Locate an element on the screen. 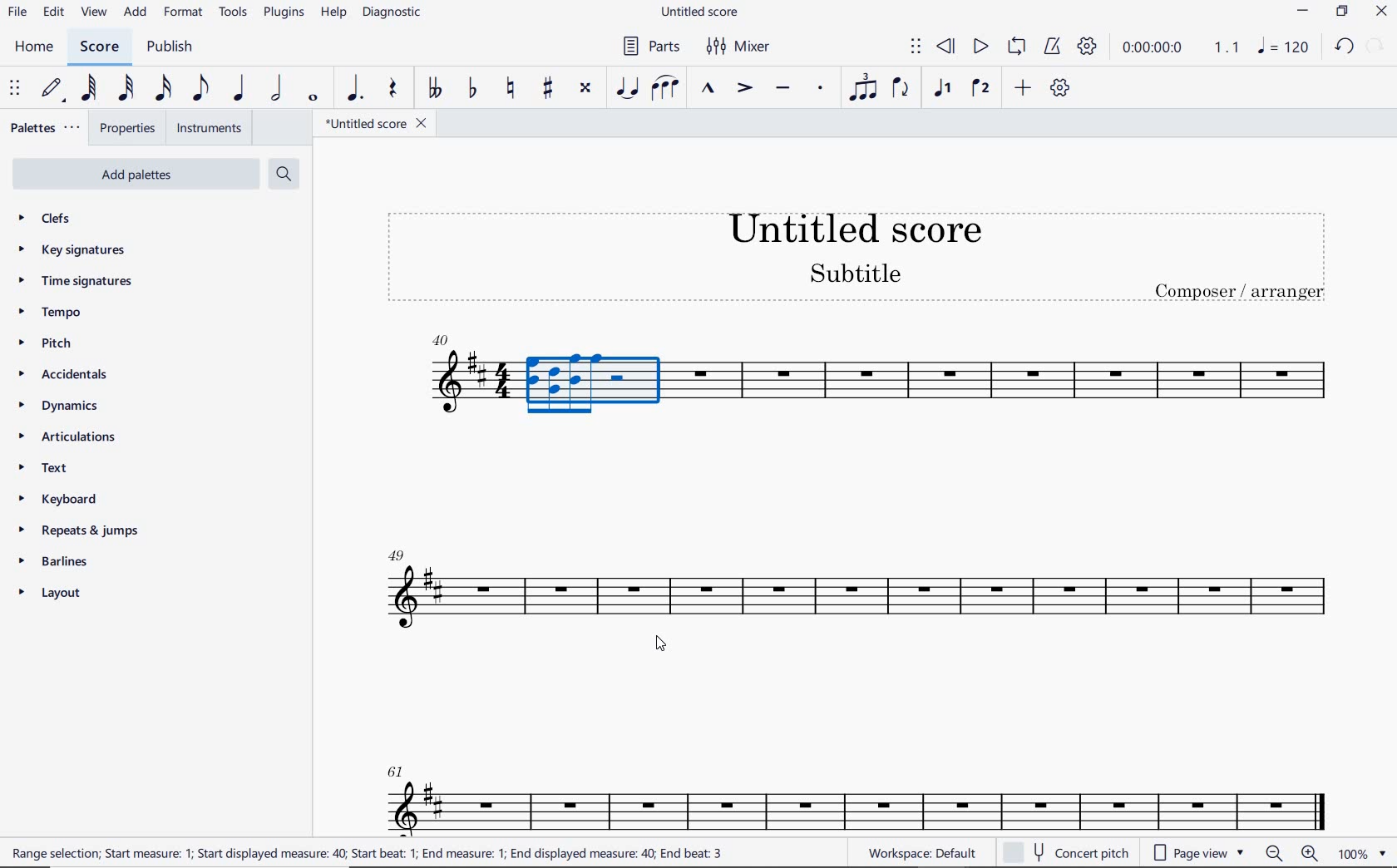 This screenshot has width=1397, height=868. SCORE is located at coordinates (99, 47).